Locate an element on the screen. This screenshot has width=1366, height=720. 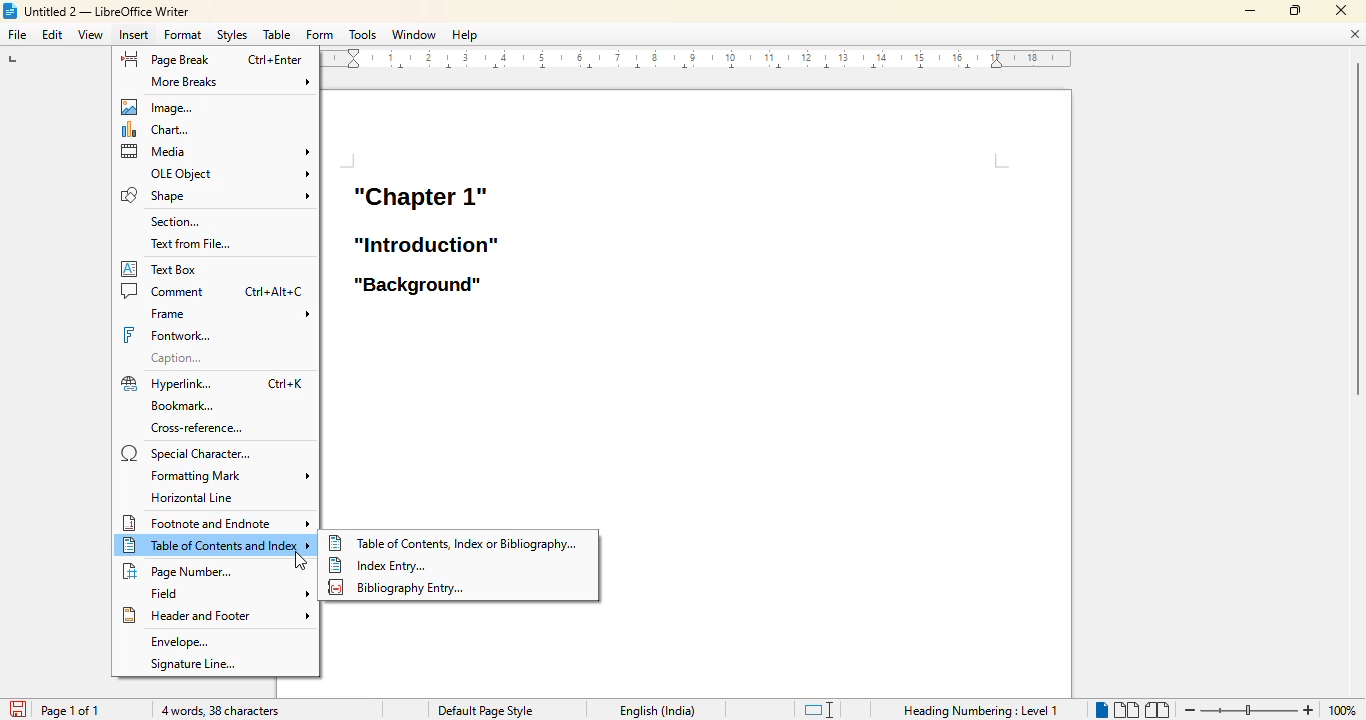
help is located at coordinates (464, 34).